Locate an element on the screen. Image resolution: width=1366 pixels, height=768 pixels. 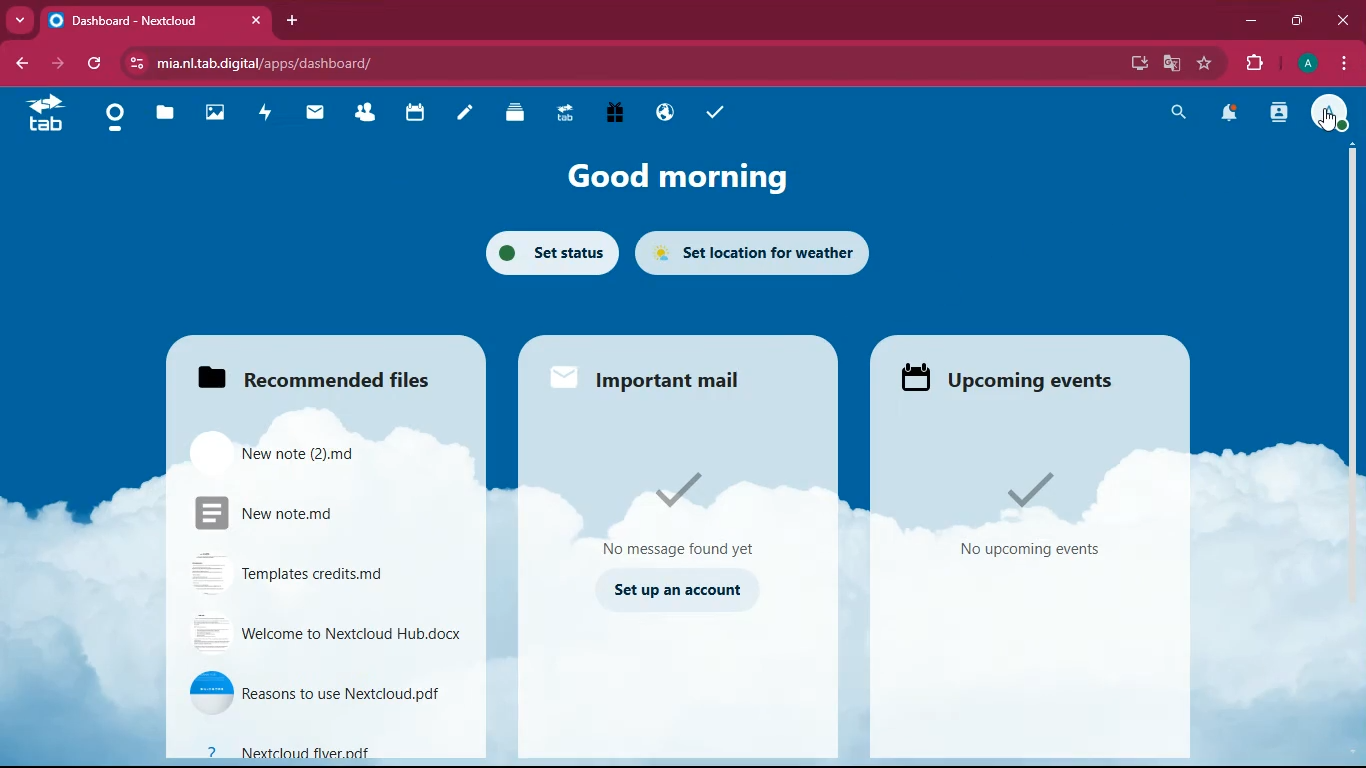
scroll bar is located at coordinates (1354, 324).